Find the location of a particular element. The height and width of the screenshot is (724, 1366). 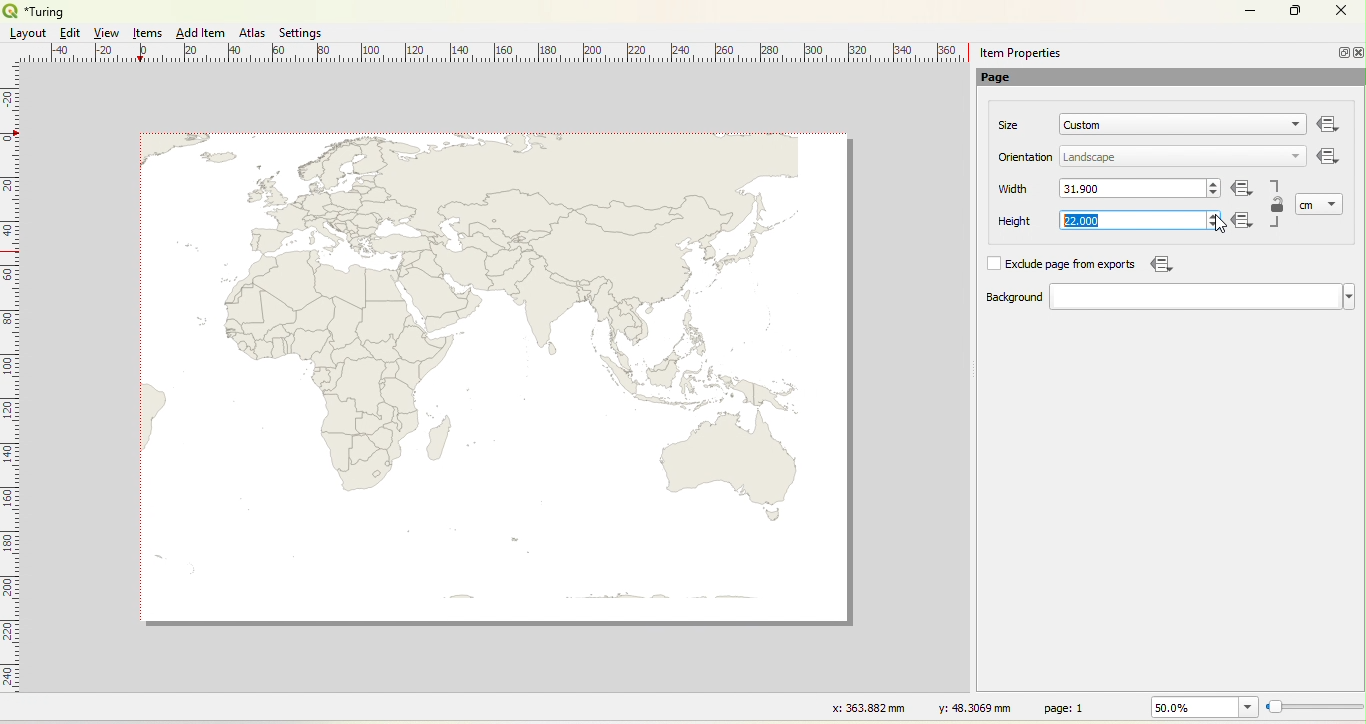

Maximize is located at coordinates (1296, 12).